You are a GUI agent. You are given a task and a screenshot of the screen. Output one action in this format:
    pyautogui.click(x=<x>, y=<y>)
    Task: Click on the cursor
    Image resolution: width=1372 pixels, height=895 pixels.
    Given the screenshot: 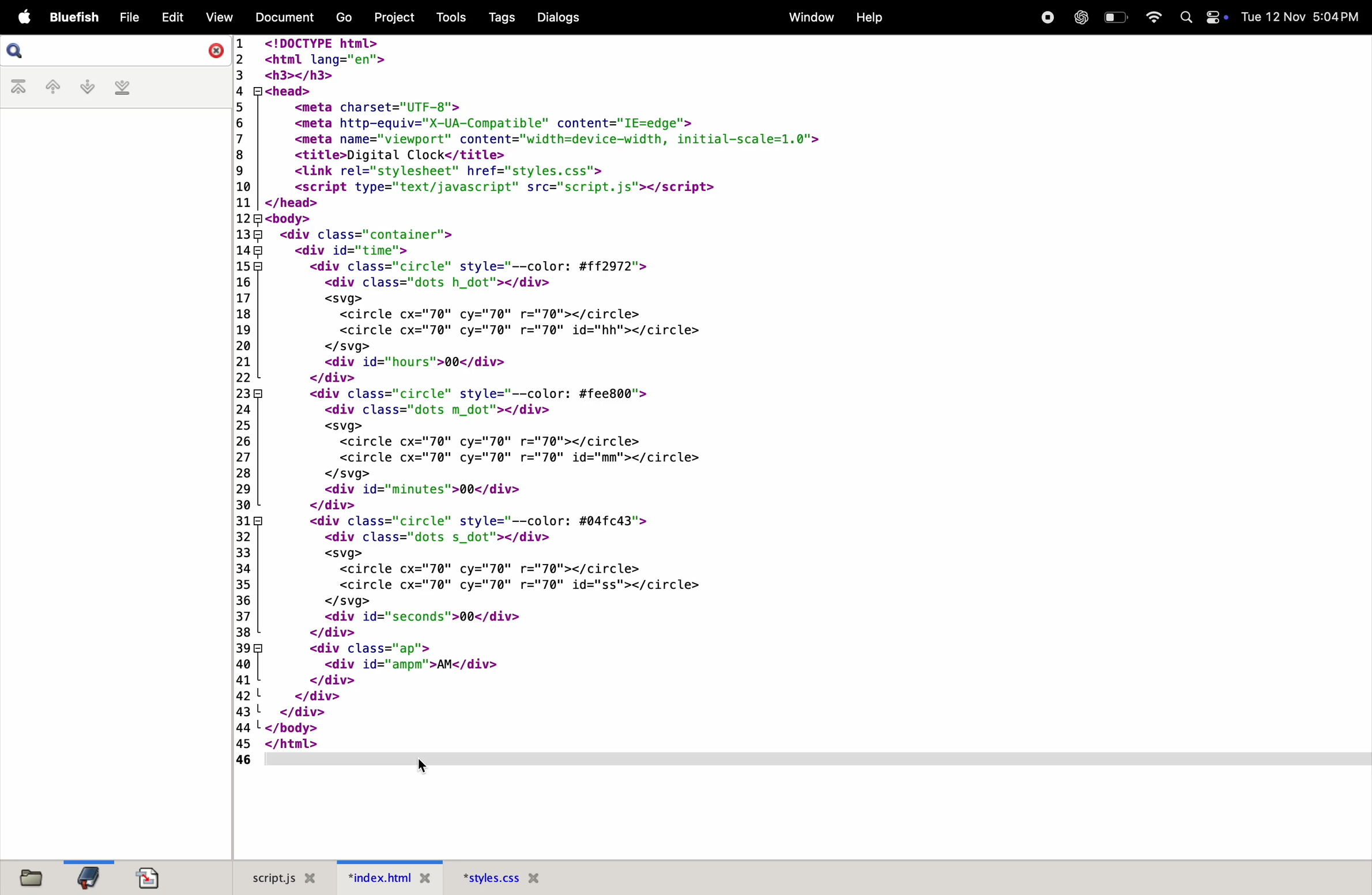 What is the action you would take?
    pyautogui.click(x=420, y=766)
    